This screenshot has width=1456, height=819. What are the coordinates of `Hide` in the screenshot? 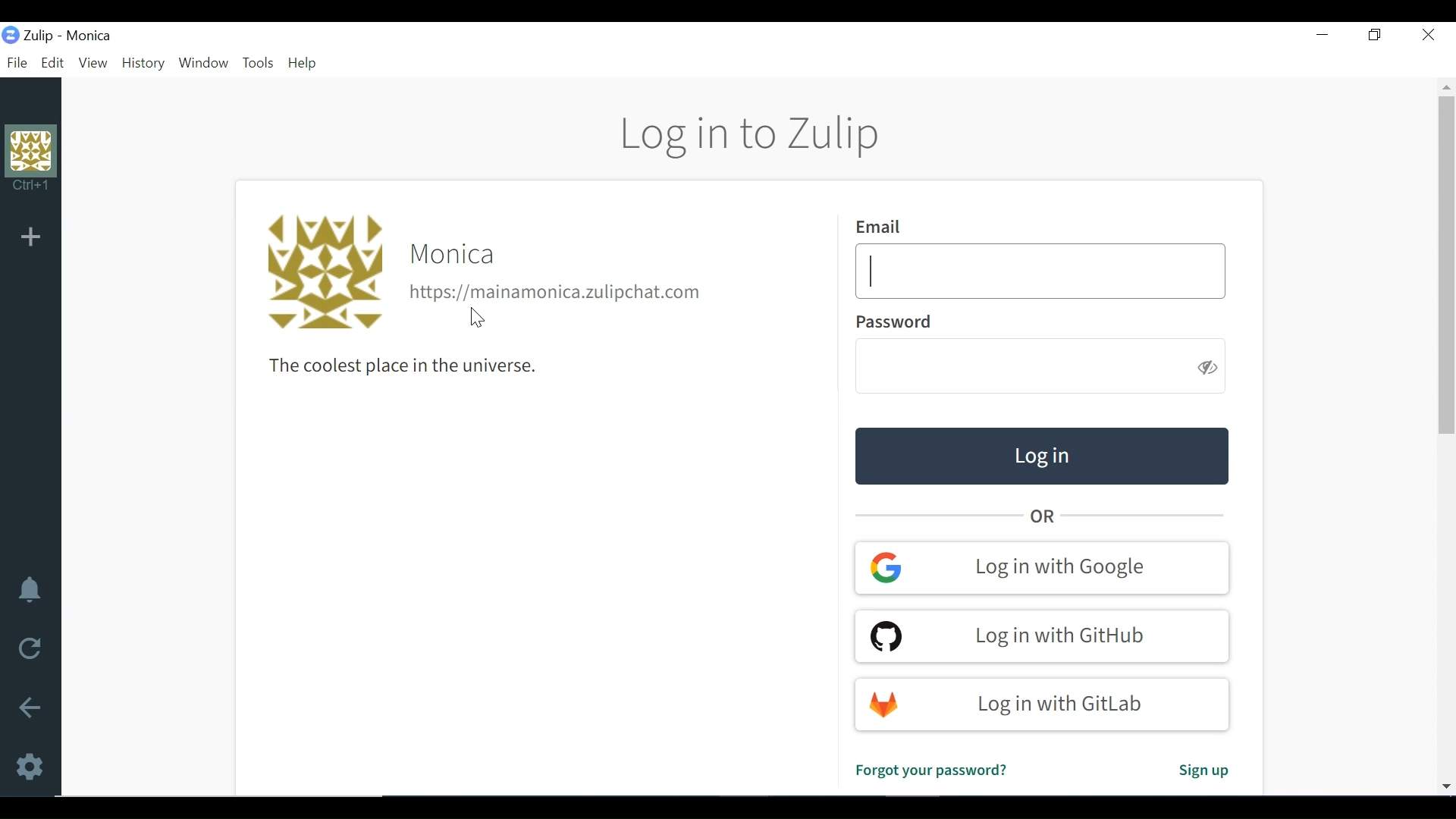 It's located at (1208, 366).